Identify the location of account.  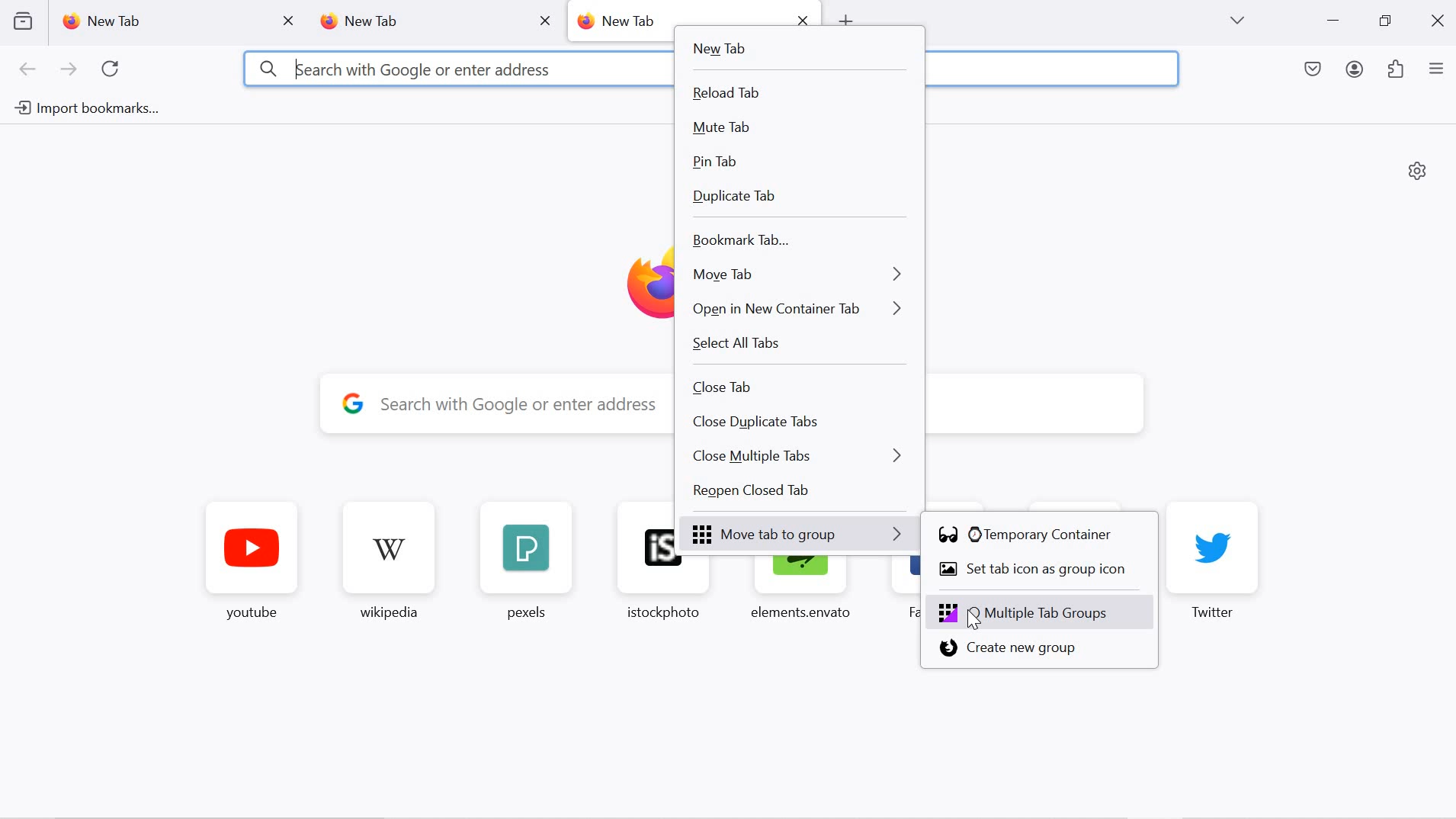
(1357, 72).